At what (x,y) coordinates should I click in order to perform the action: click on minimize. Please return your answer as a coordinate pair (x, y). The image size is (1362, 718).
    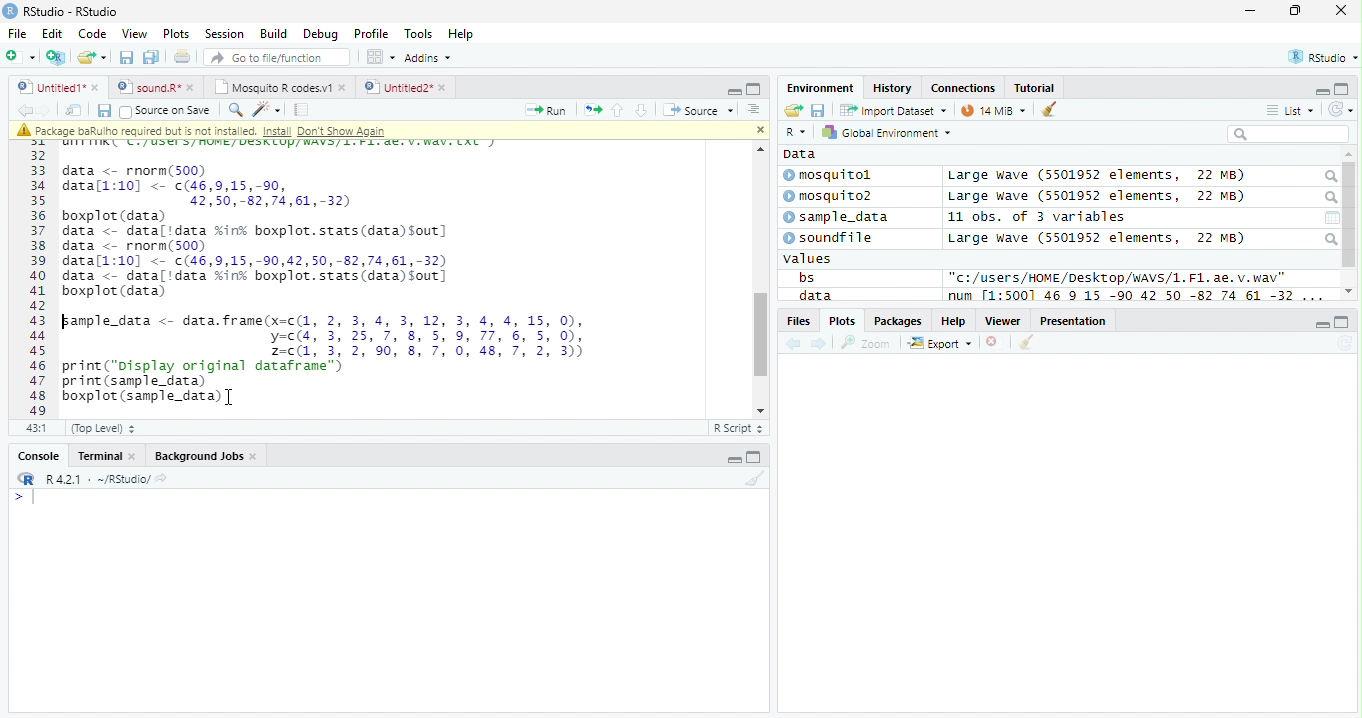
    Looking at the image, I should click on (732, 456).